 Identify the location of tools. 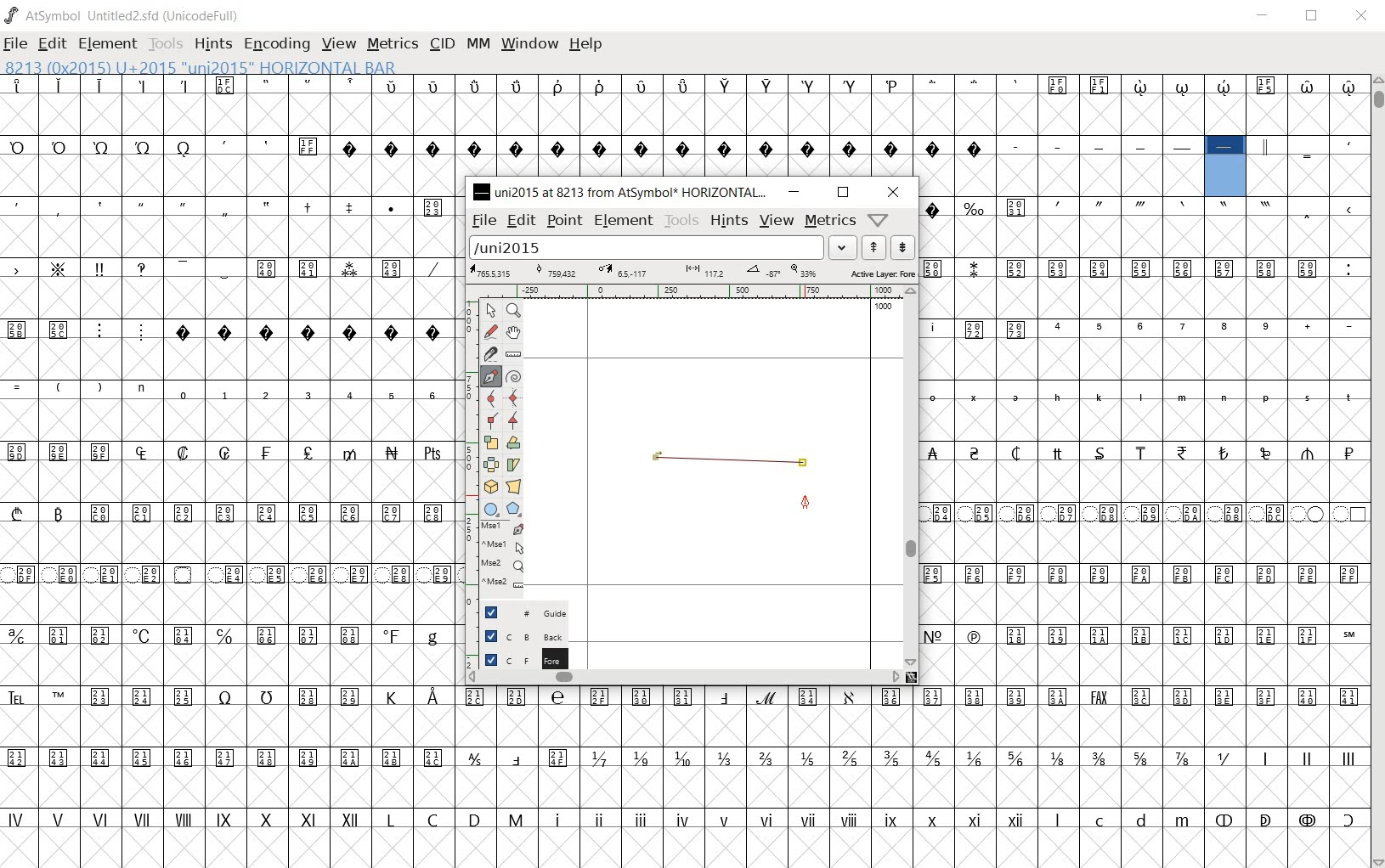
(681, 221).